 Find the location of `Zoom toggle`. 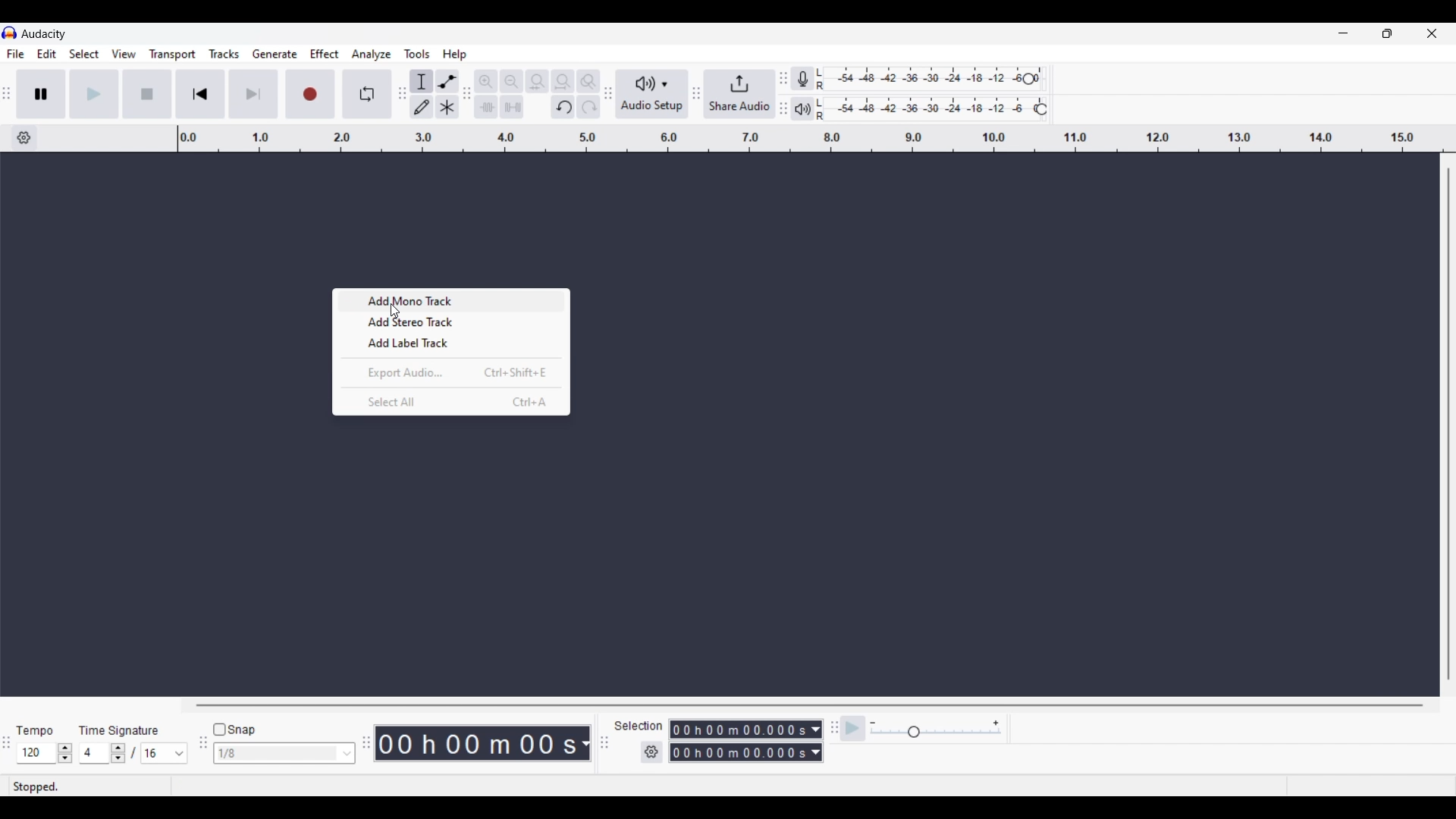

Zoom toggle is located at coordinates (588, 81).